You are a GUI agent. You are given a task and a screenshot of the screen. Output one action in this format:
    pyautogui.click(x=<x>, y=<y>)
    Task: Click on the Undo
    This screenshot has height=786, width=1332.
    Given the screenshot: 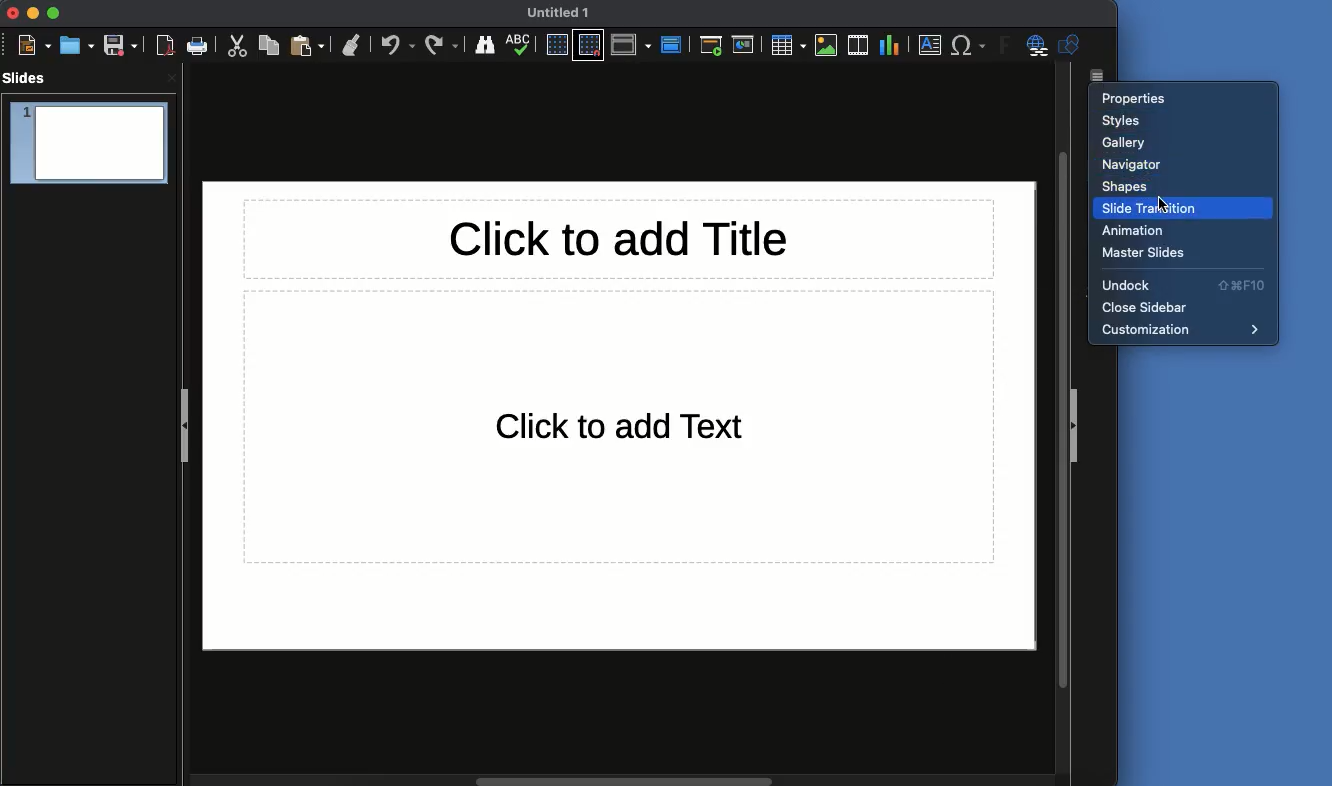 What is the action you would take?
    pyautogui.click(x=398, y=44)
    